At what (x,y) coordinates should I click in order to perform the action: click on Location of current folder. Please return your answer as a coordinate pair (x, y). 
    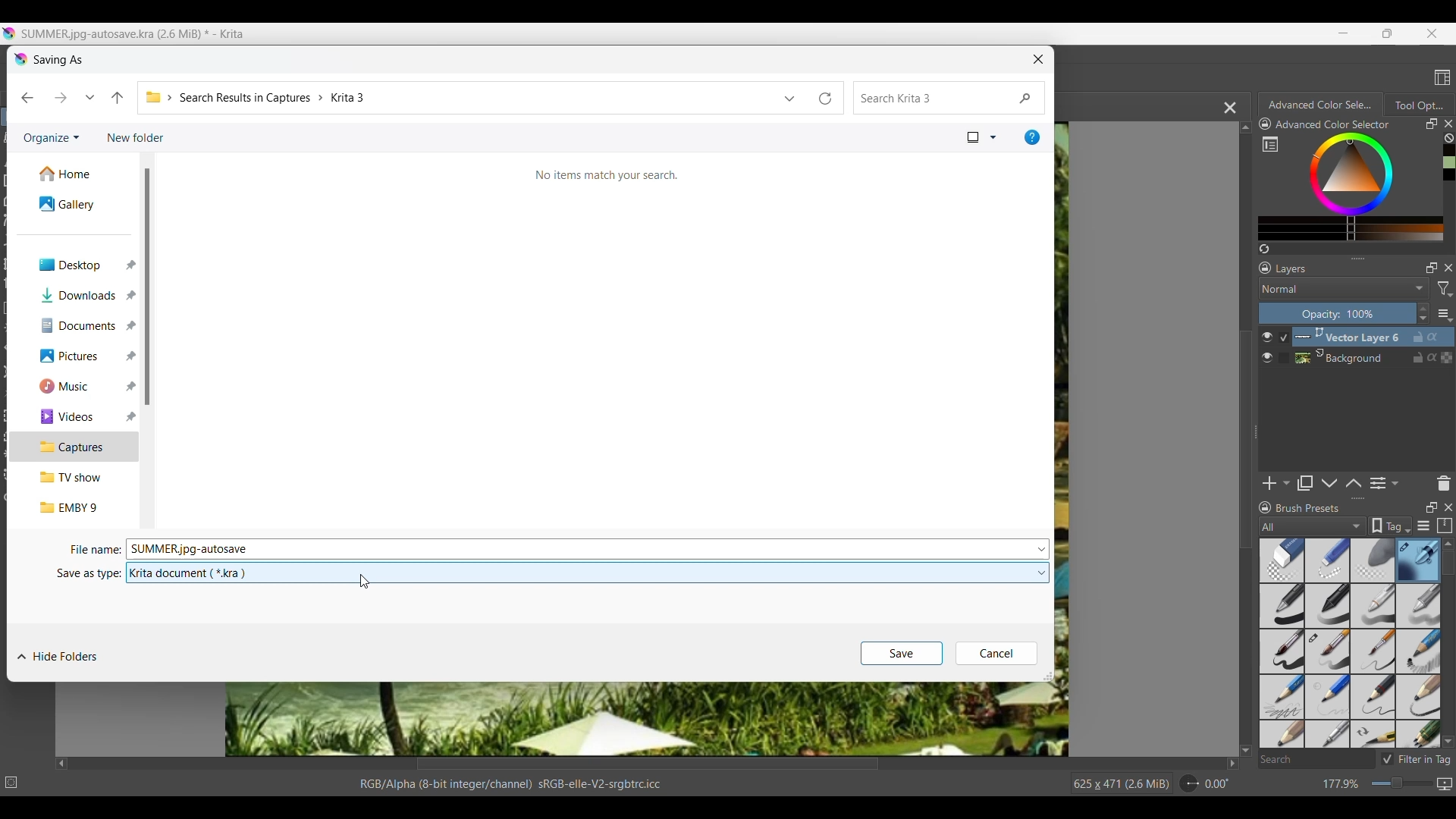
    Looking at the image, I should click on (458, 97).